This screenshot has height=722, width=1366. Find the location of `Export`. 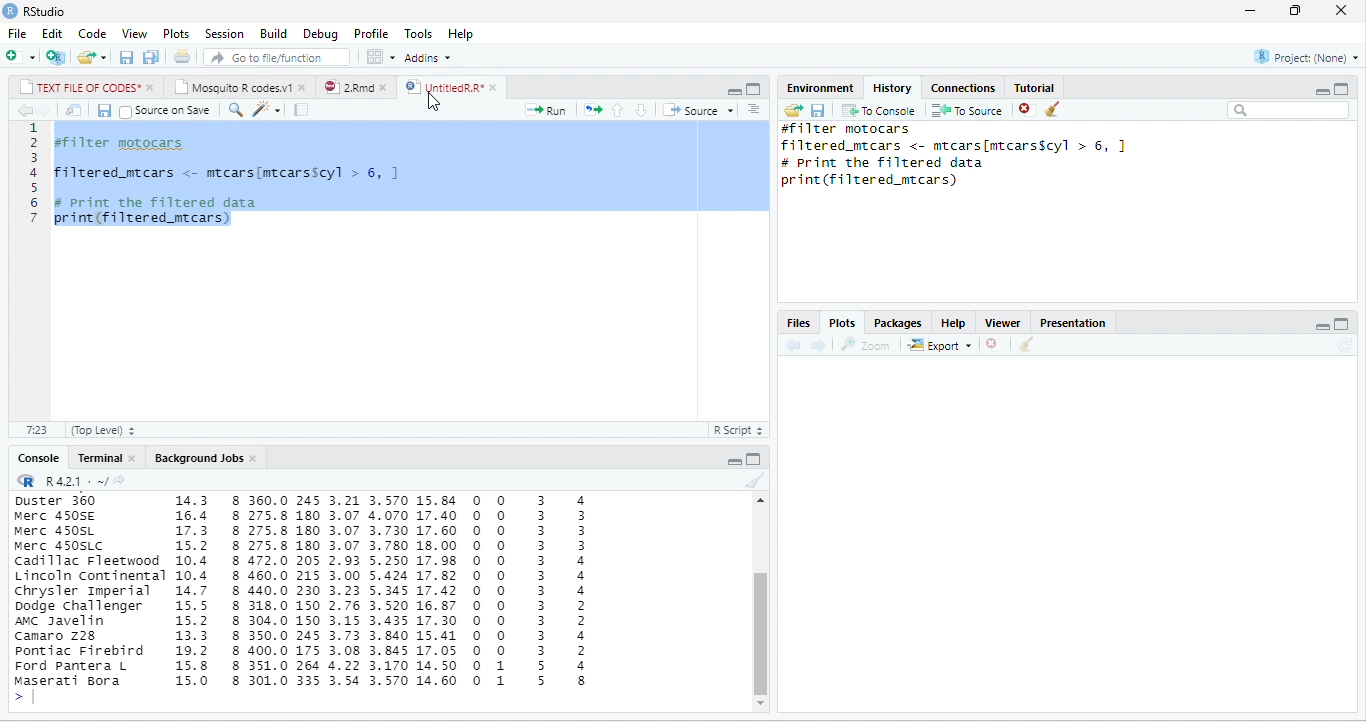

Export is located at coordinates (939, 345).